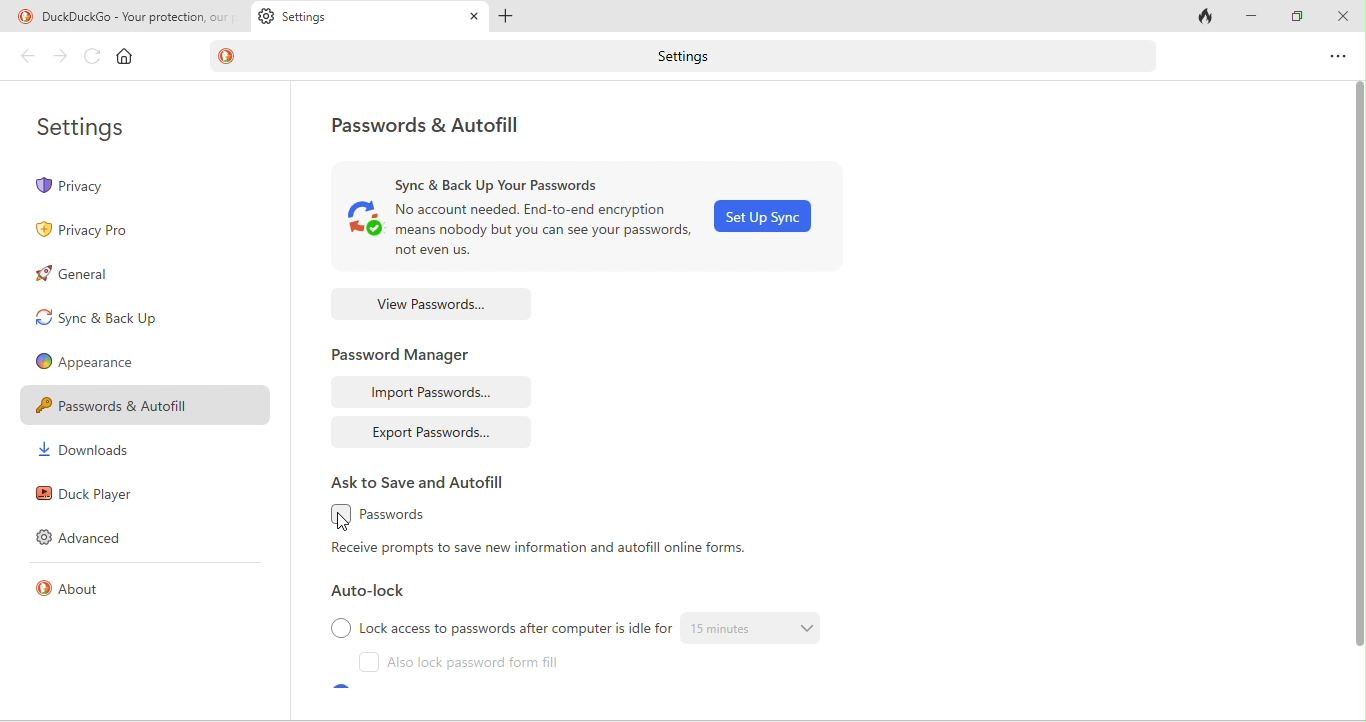 The width and height of the screenshot is (1366, 722). What do you see at coordinates (431, 392) in the screenshot?
I see `import passwords` at bounding box center [431, 392].